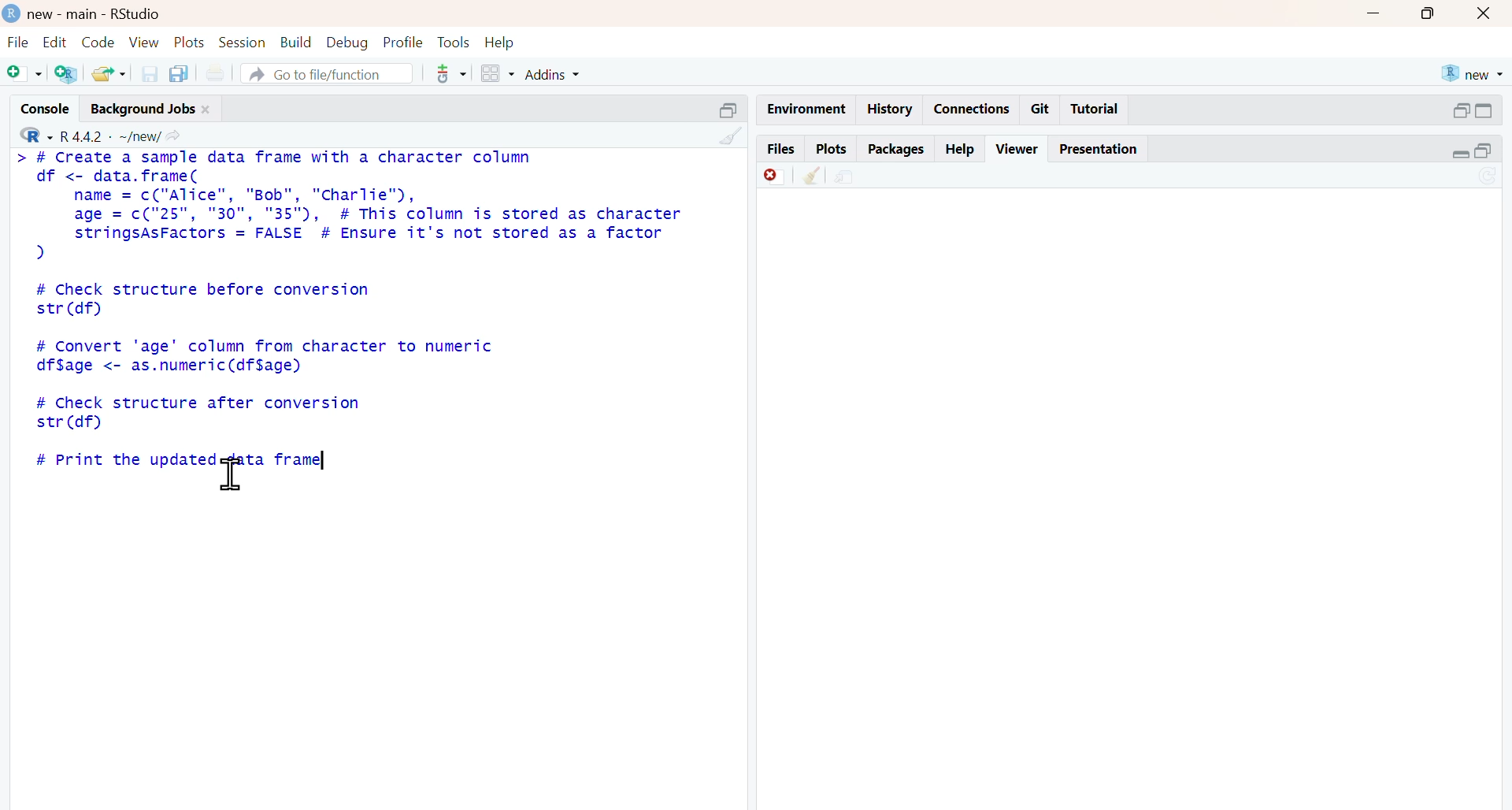  Describe the element at coordinates (233, 474) in the screenshot. I see `cursor` at that location.